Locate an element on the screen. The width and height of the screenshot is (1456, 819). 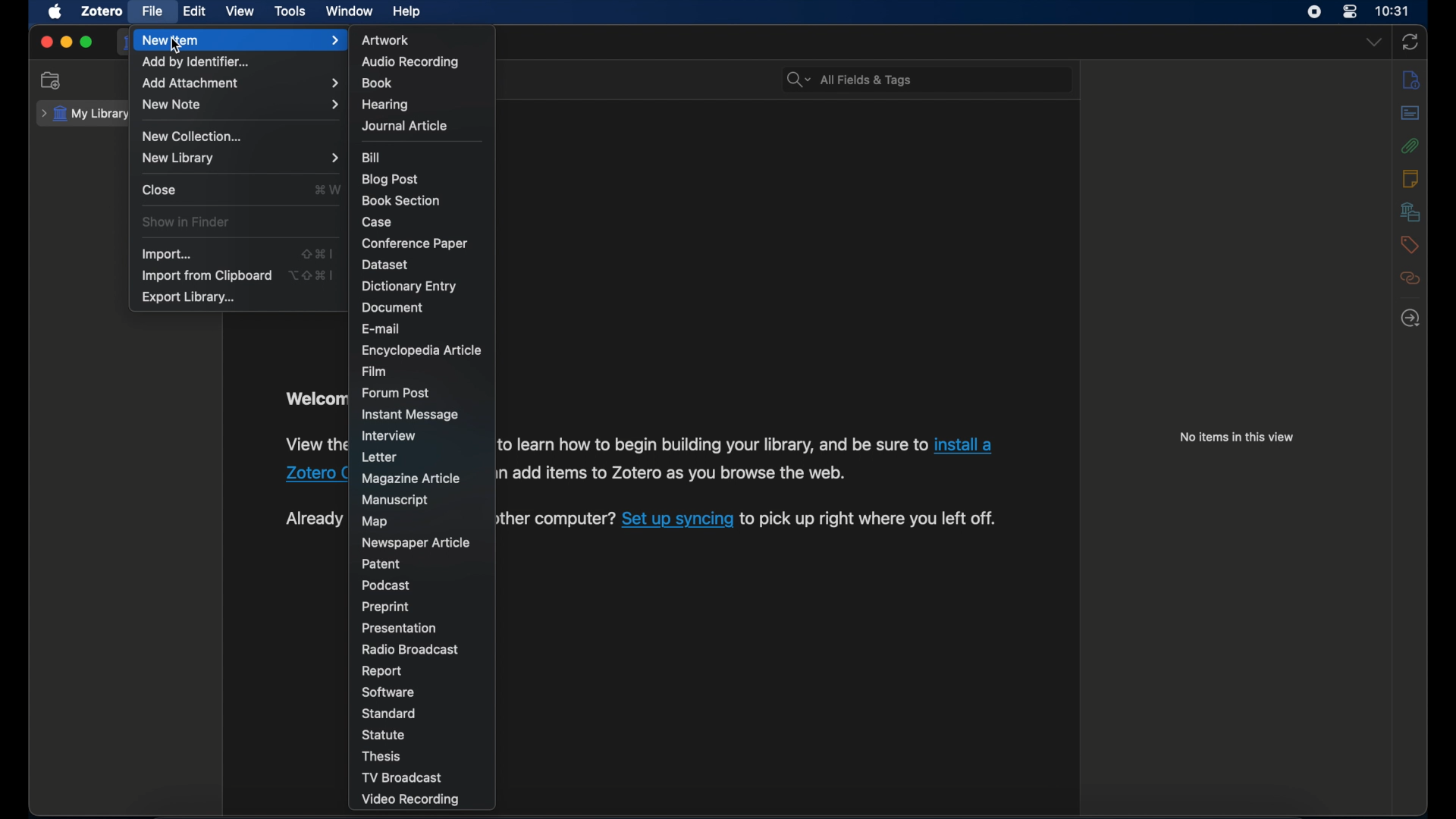
no items this view is located at coordinates (1235, 437).